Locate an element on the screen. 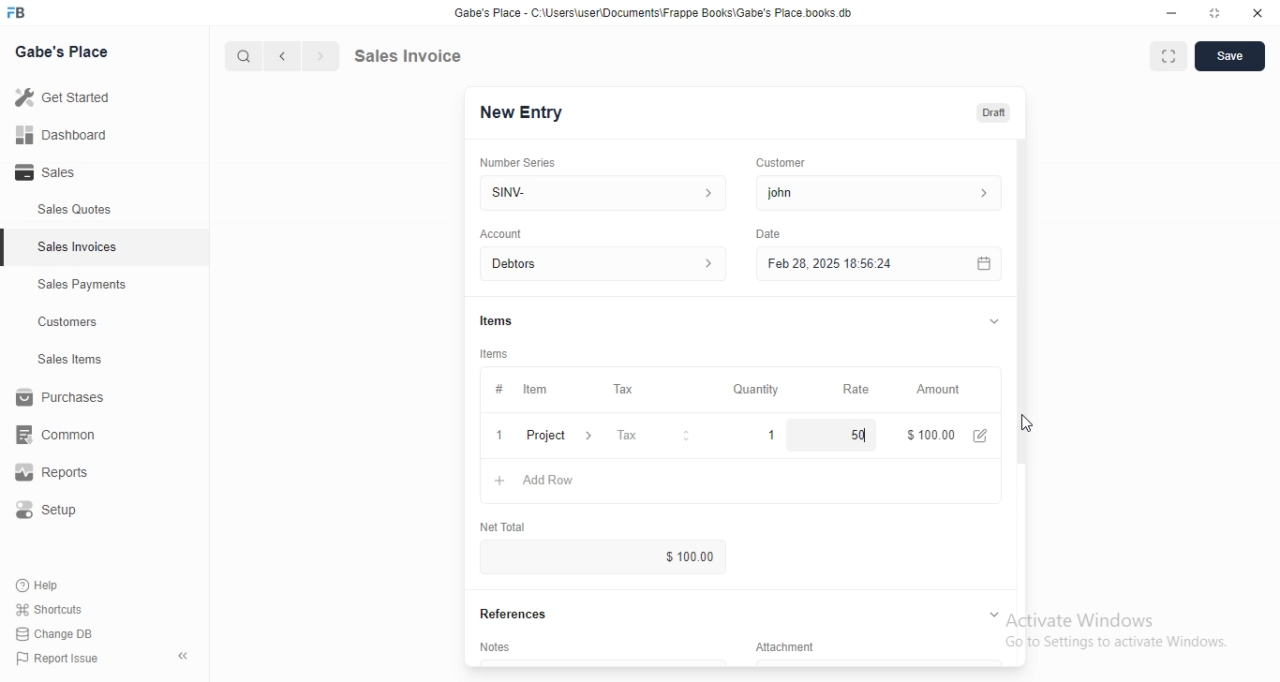 The height and width of the screenshot is (682, 1280). common is located at coordinates (62, 434).